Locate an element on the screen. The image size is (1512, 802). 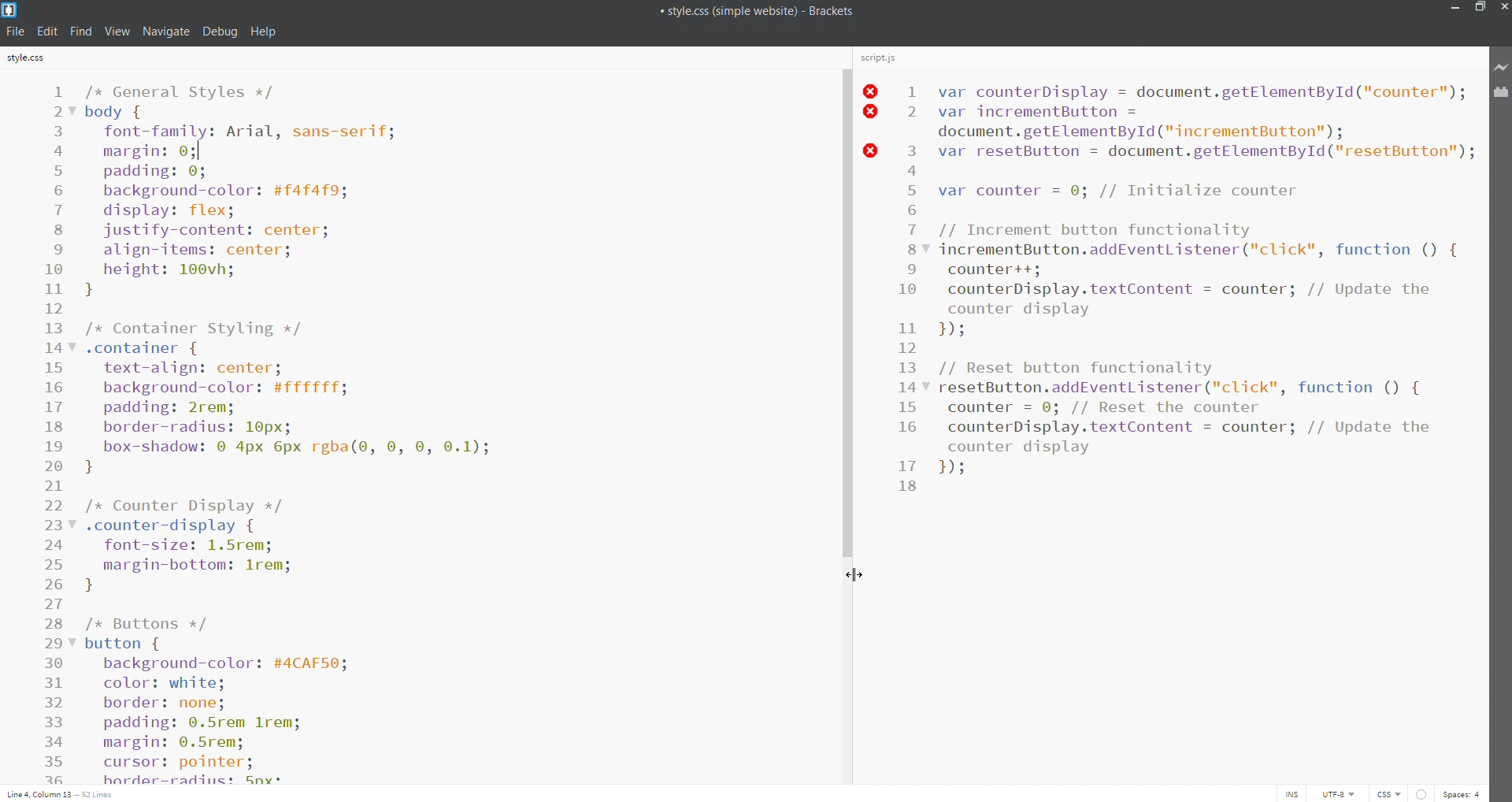
navigate is located at coordinates (166, 32).